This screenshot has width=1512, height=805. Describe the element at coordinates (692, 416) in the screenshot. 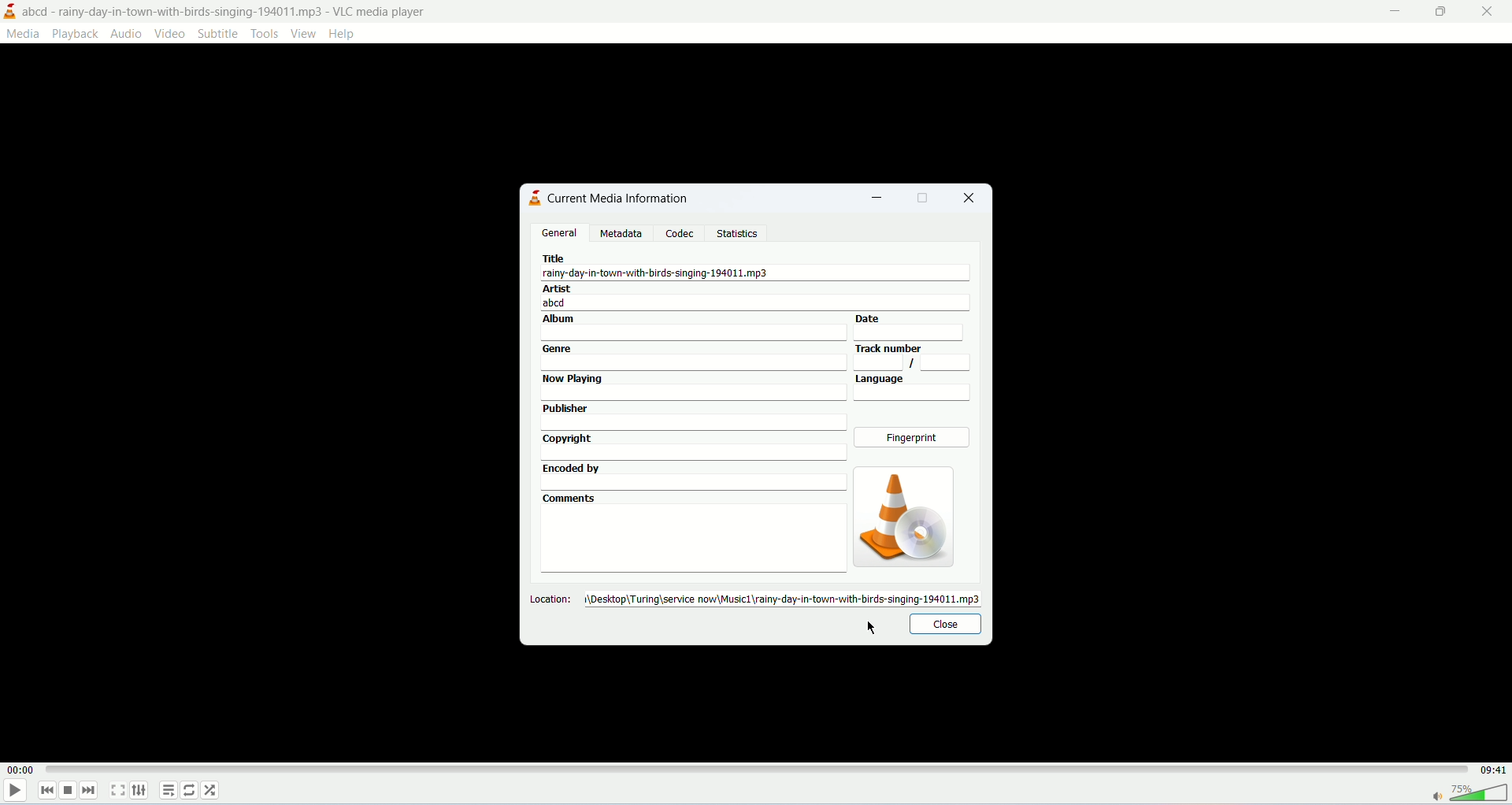

I see `publisher` at that location.